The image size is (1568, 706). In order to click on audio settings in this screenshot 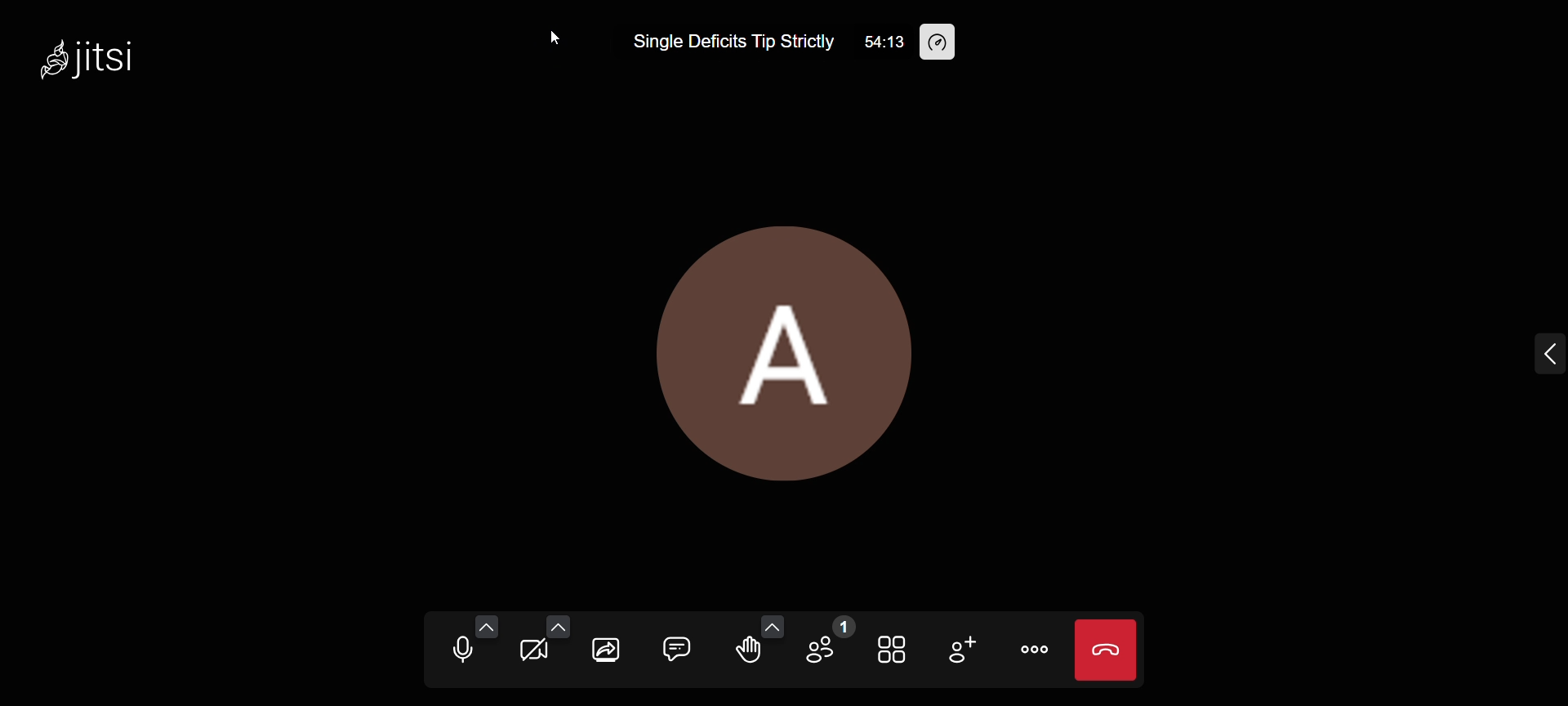, I will do `click(488, 626)`.